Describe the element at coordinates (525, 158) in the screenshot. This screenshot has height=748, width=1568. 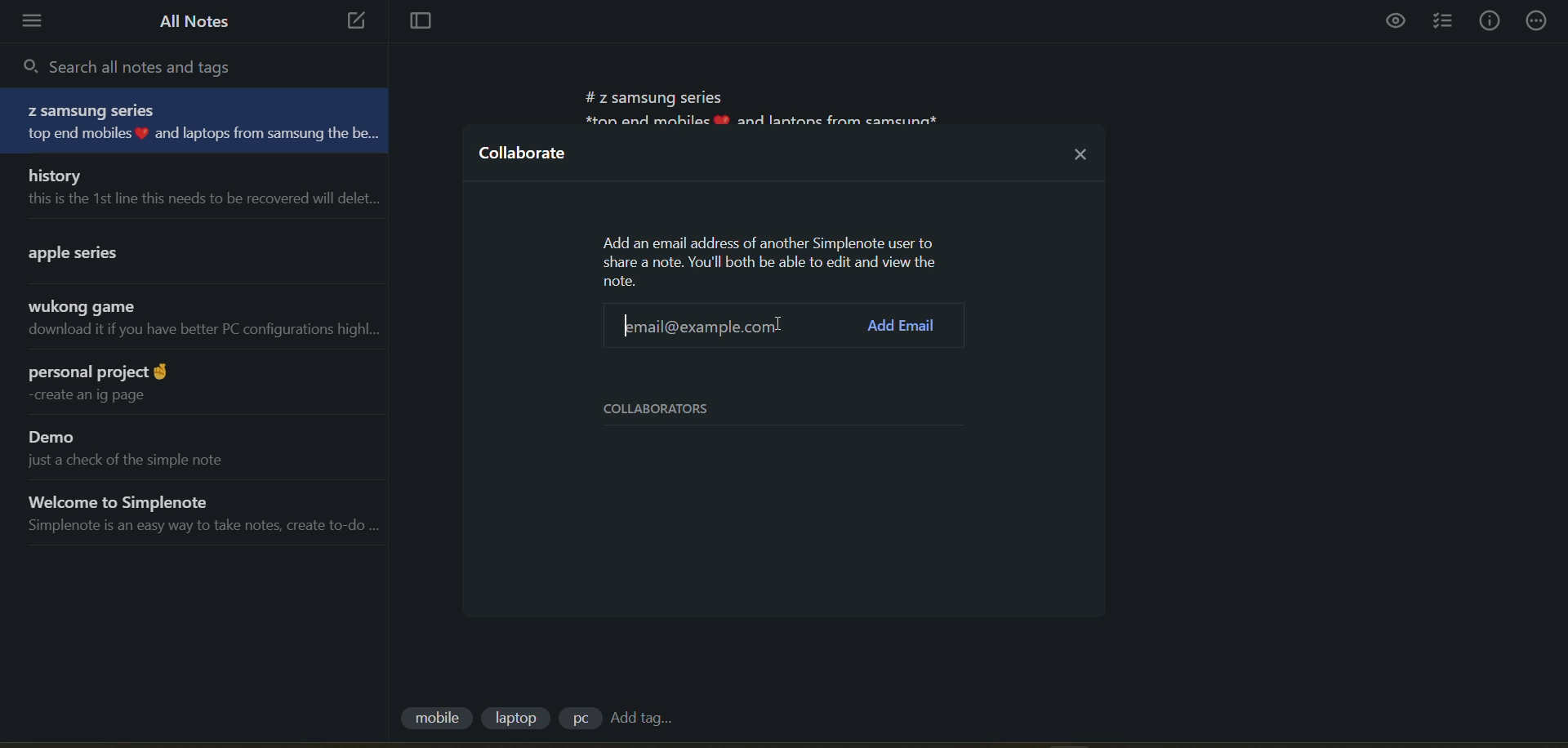
I see `collaborate` at that location.